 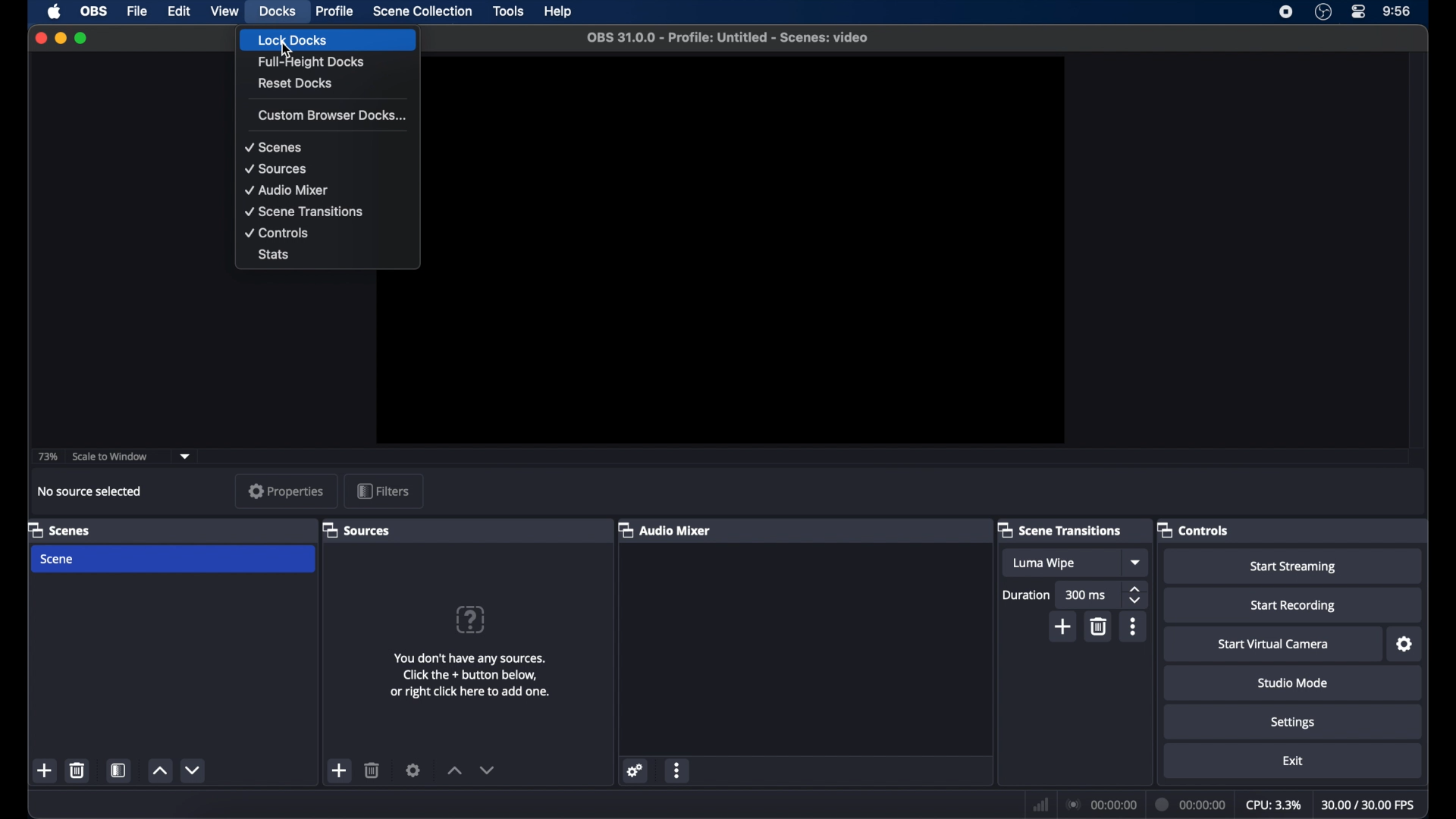 What do you see at coordinates (1190, 805) in the screenshot?
I see `duration` at bounding box center [1190, 805].